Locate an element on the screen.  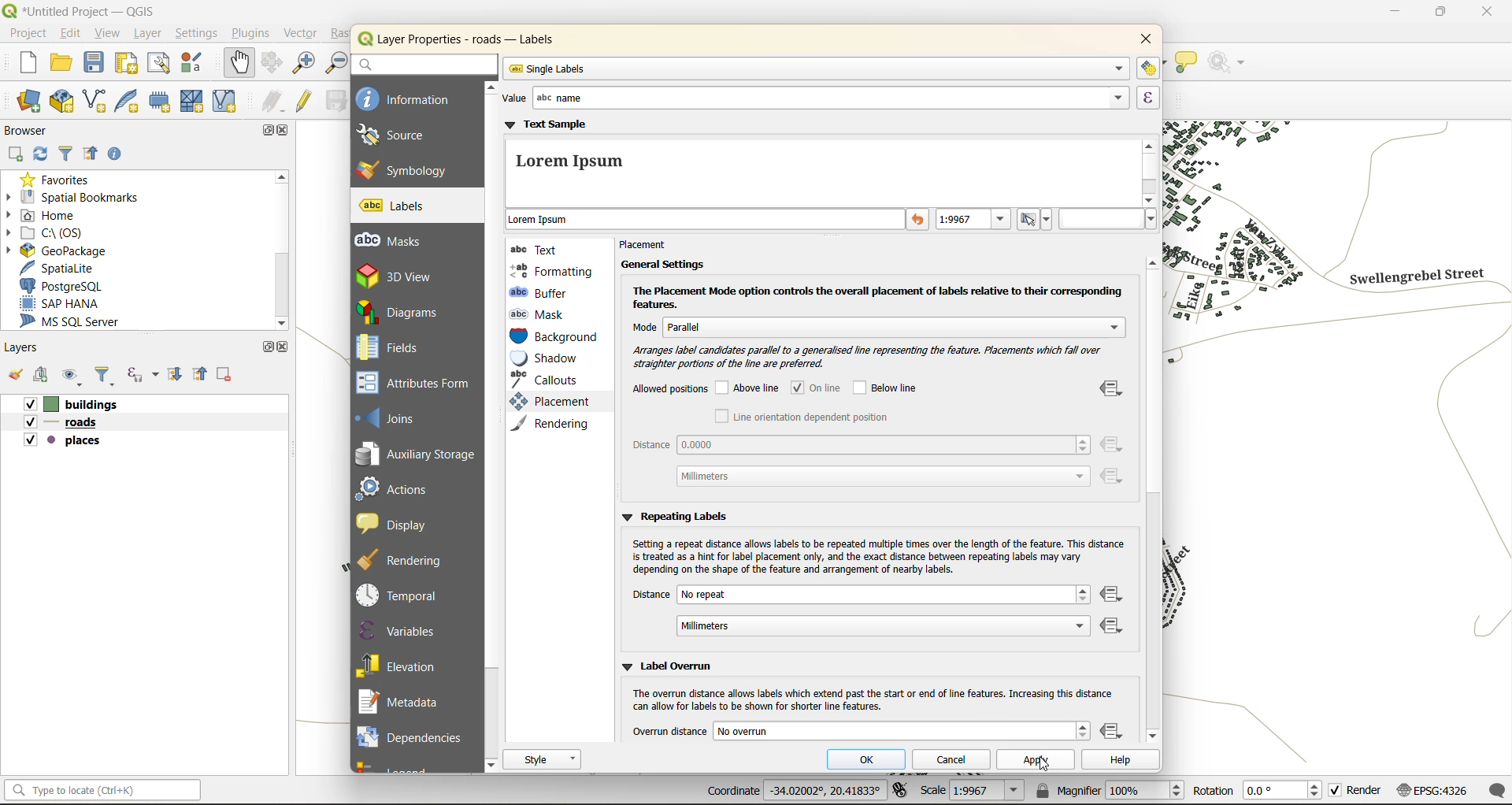
edits is located at coordinates (274, 101).